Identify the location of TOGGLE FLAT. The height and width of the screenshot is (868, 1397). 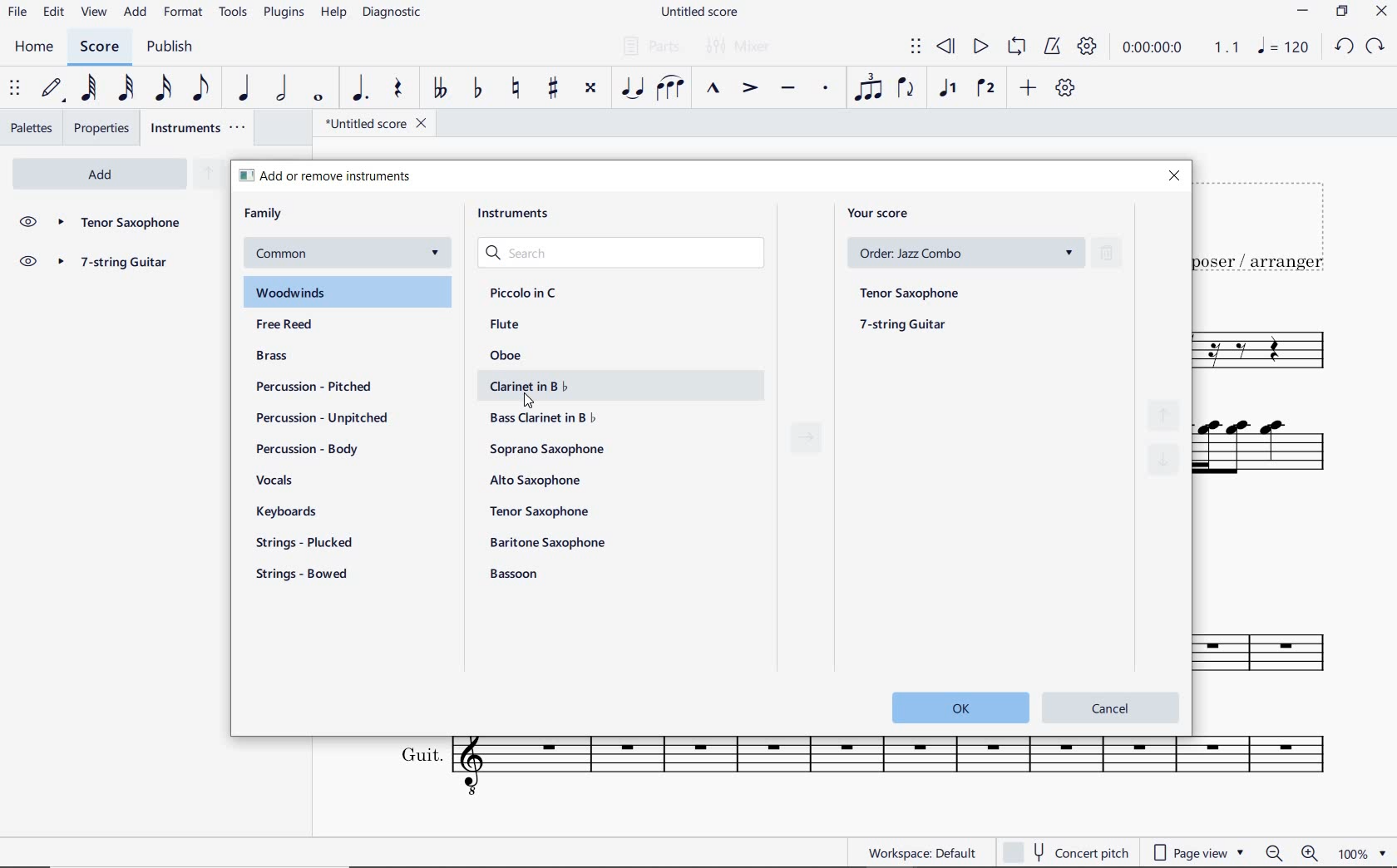
(481, 87).